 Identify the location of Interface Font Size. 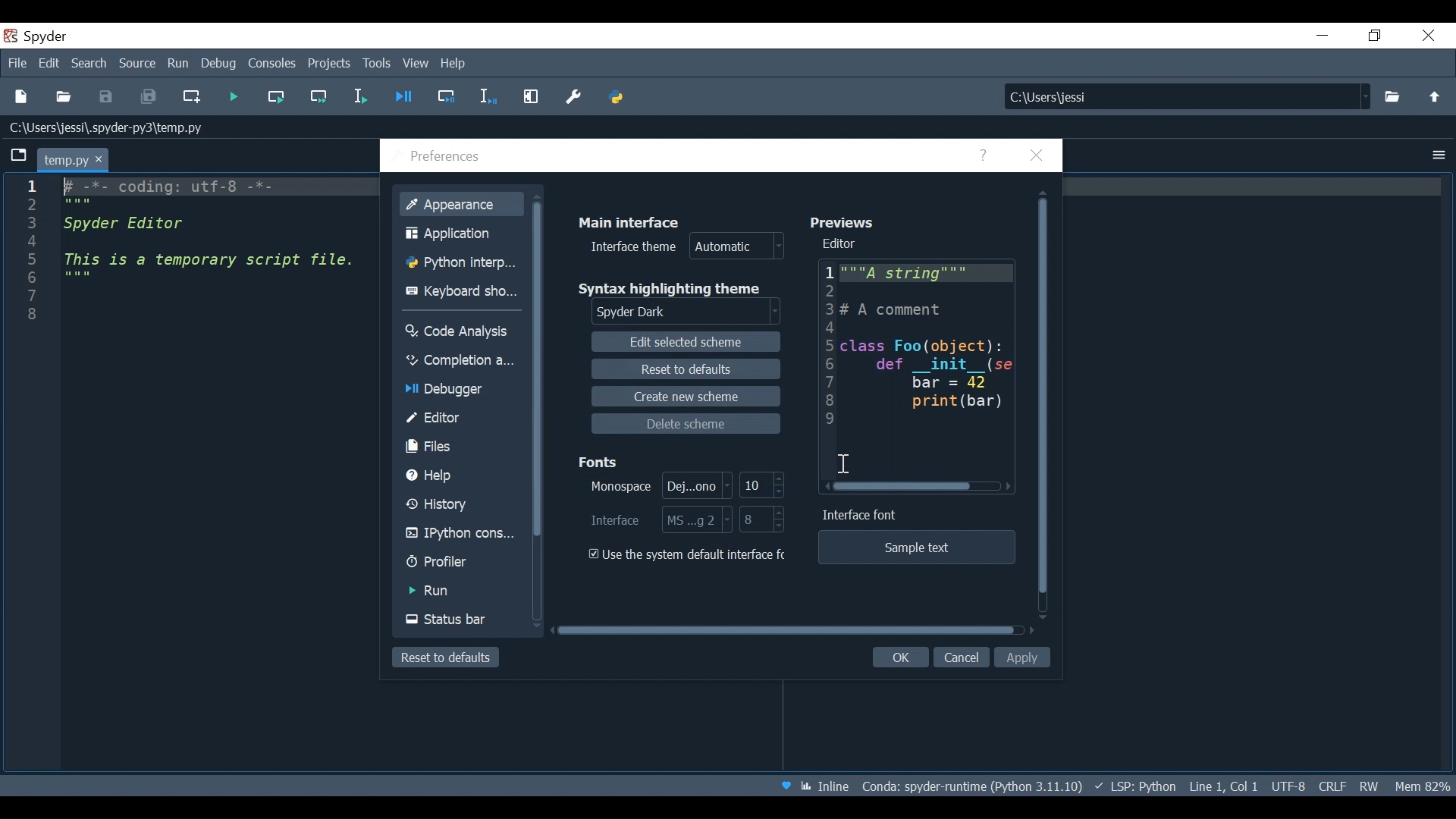
(762, 519).